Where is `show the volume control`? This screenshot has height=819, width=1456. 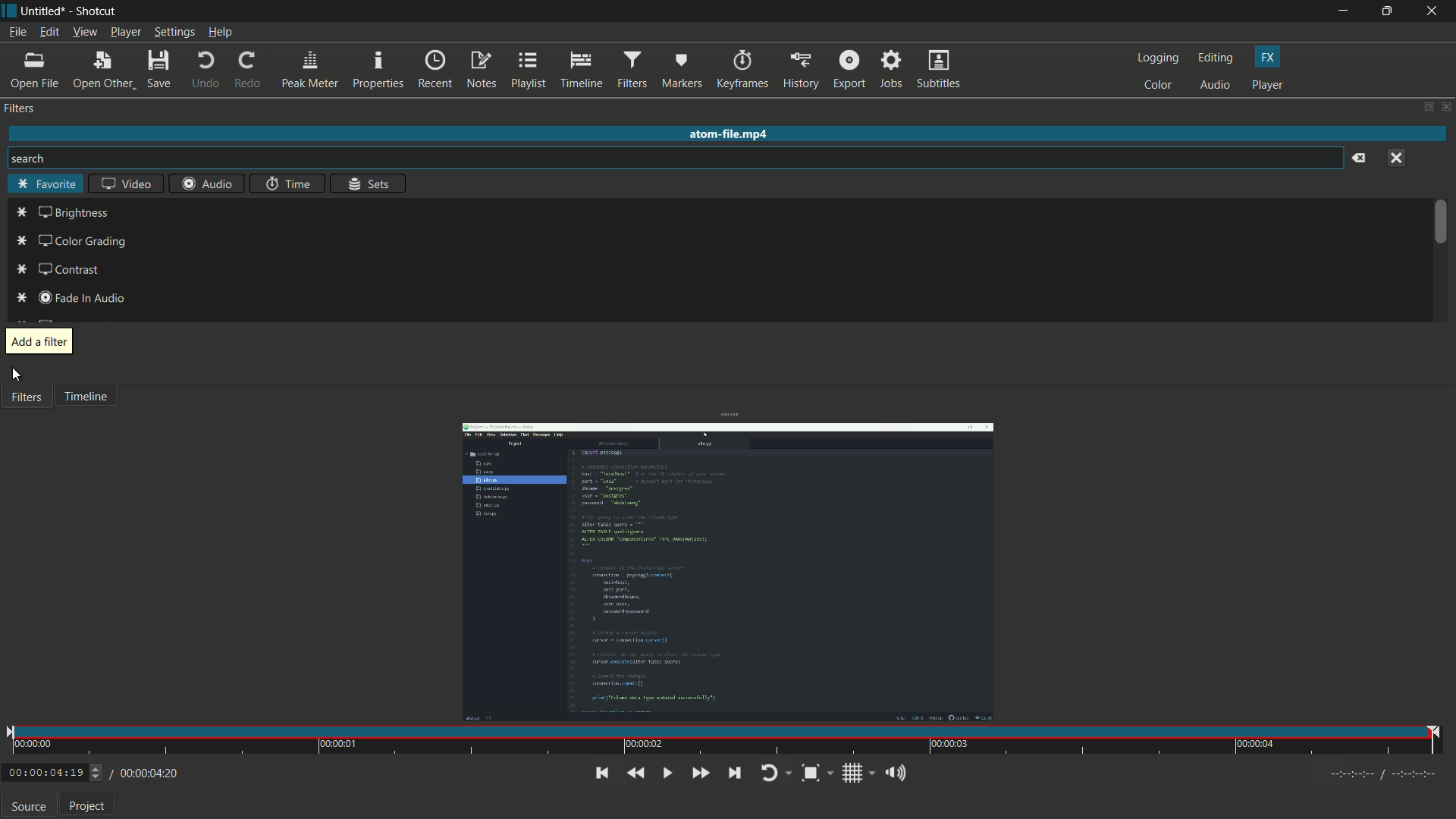 show the volume control is located at coordinates (896, 773).